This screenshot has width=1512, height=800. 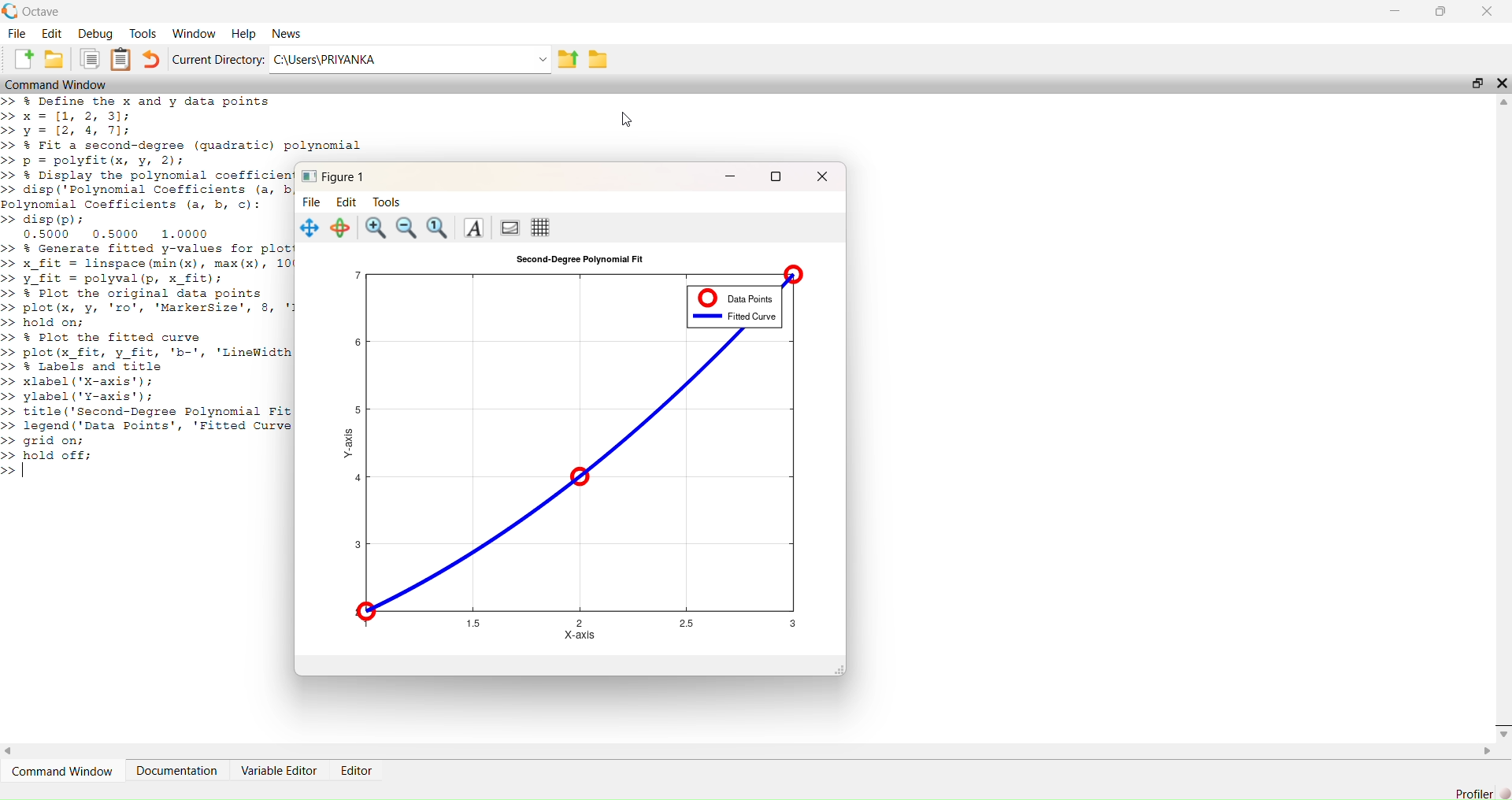 What do you see at coordinates (543, 228) in the screenshot?
I see `Toggle current axes grid visibility` at bounding box center [543, 228].